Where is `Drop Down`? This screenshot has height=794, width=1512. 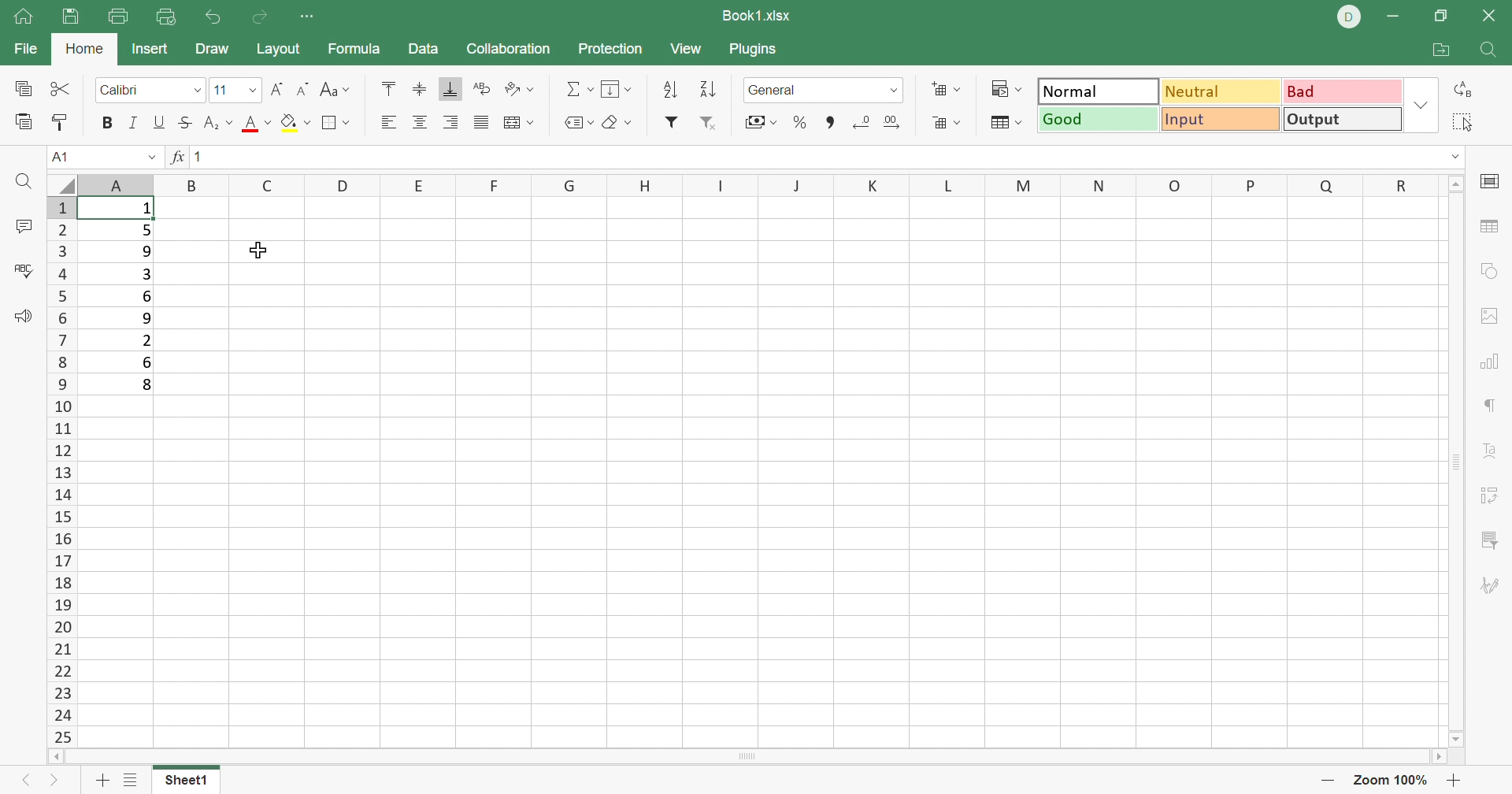 Drop Down is located at coordinates (252, 90).